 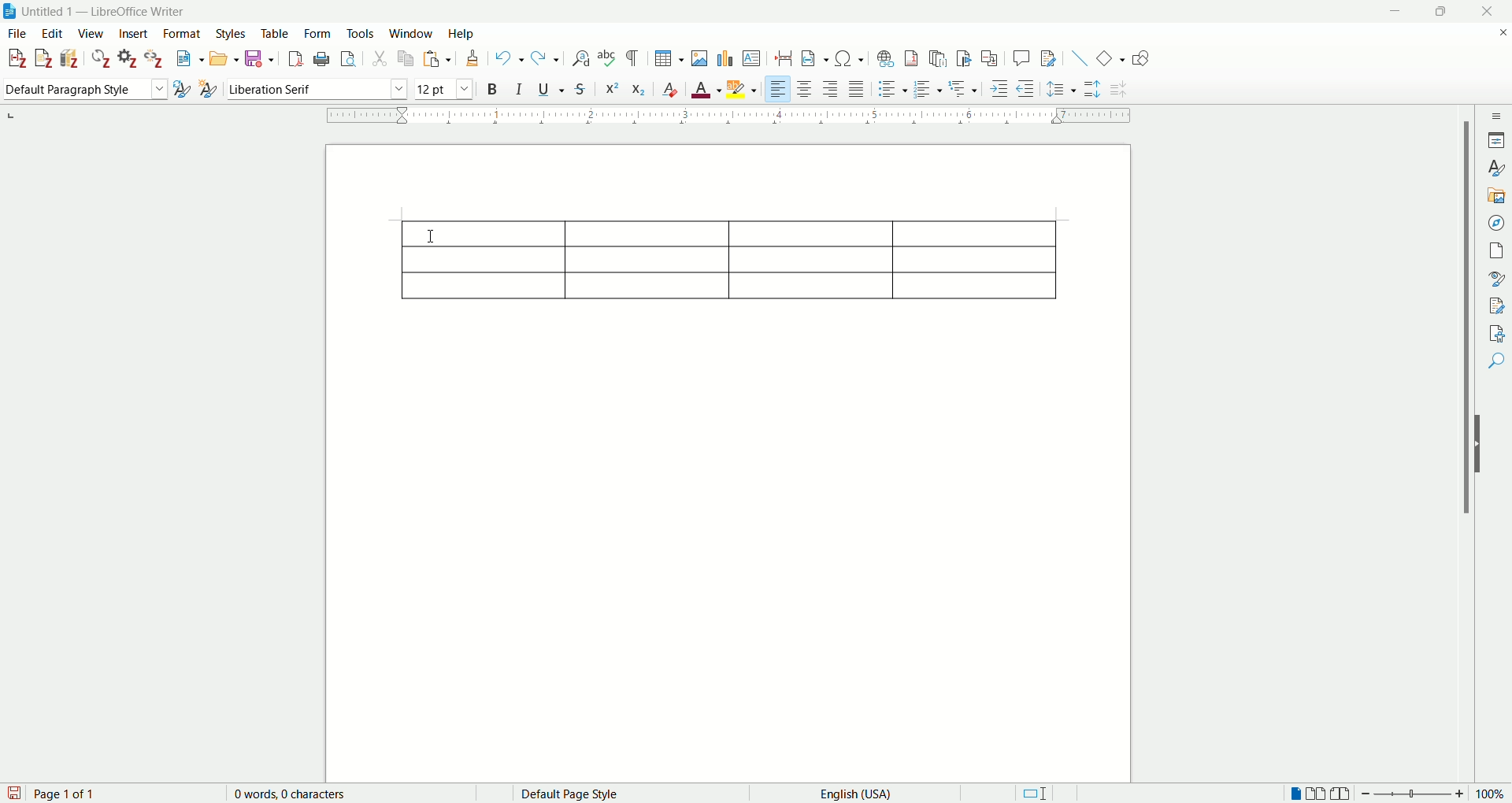 I want to click on document preferences, so click(x=124, y=56).